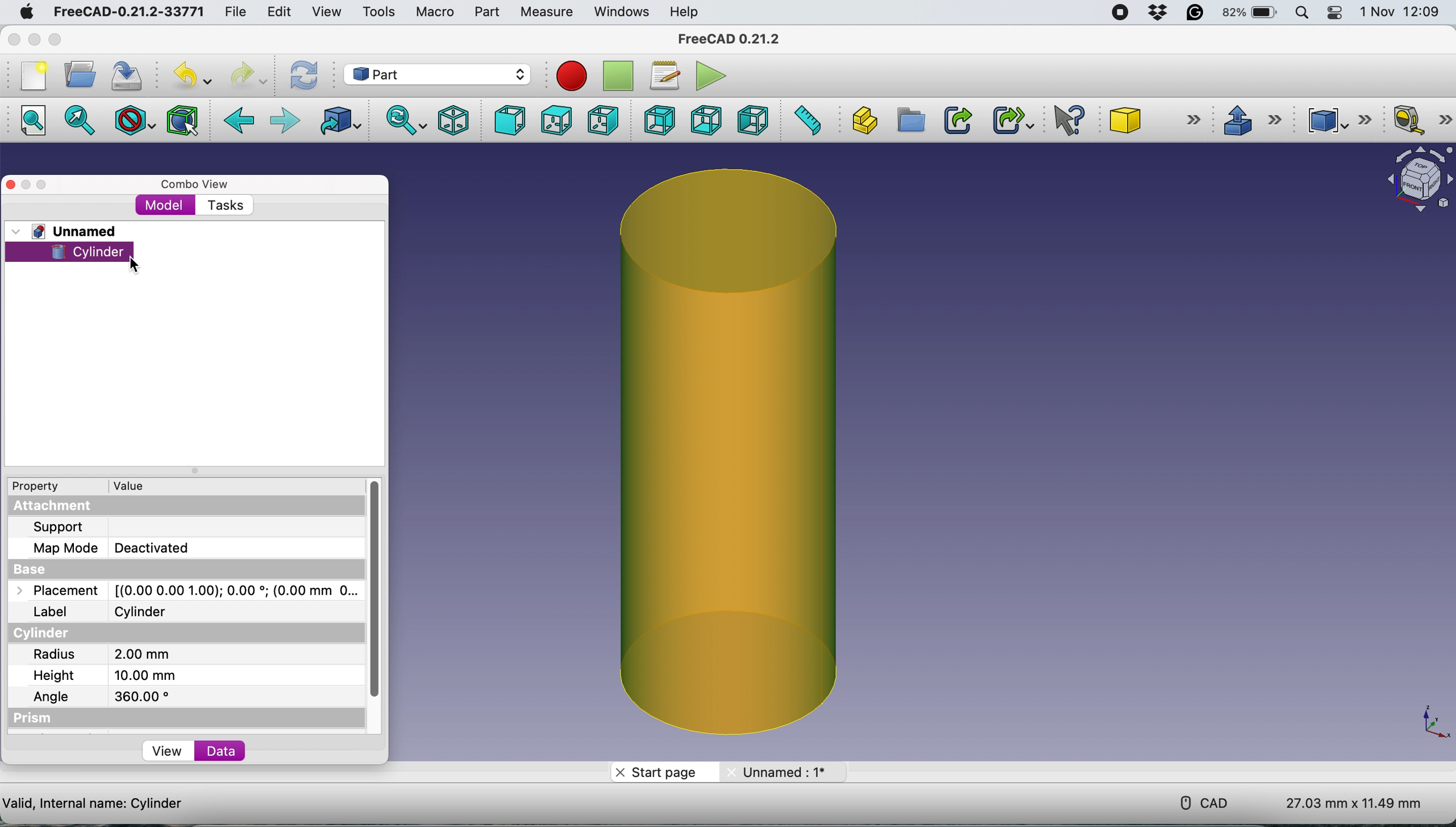  What do you see at coordinates (80, 77) in the screenshot?
I see `open` at bounding box center [80, 77].